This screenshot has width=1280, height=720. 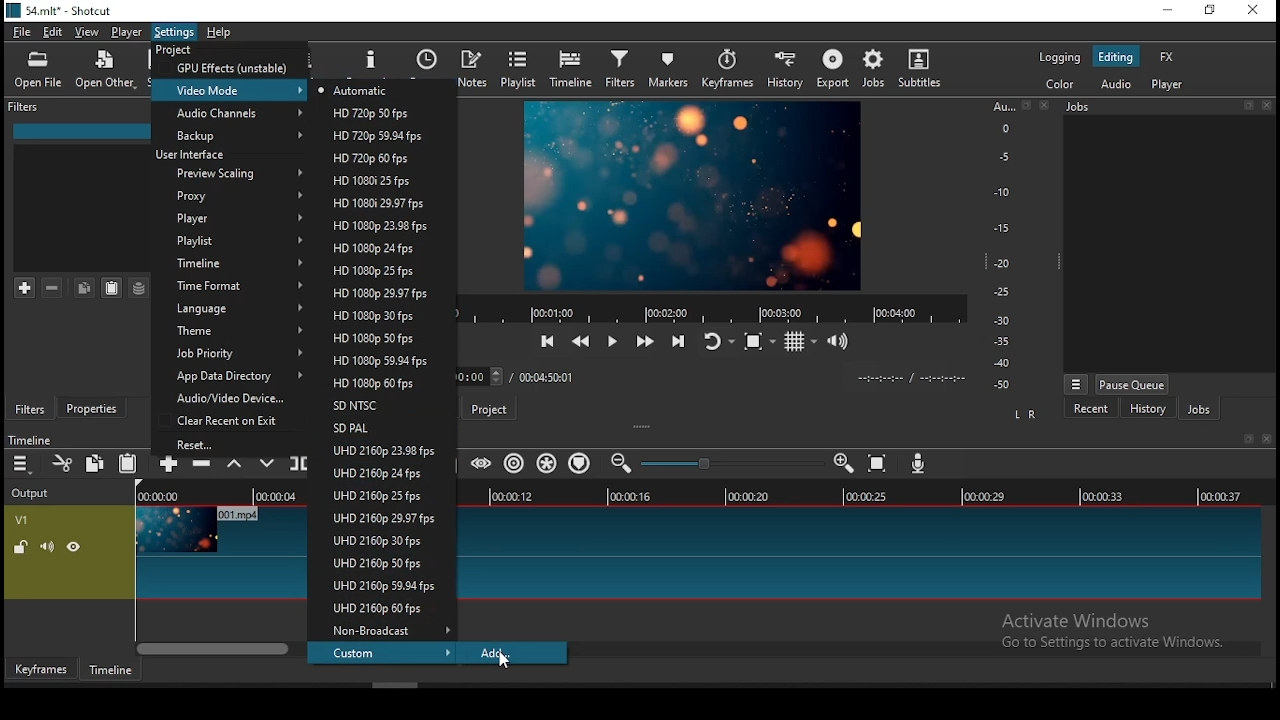 What do you see at coordinates (139, 288) in the screenshot?
I see `save filter set` at bounding box center [139, 288].